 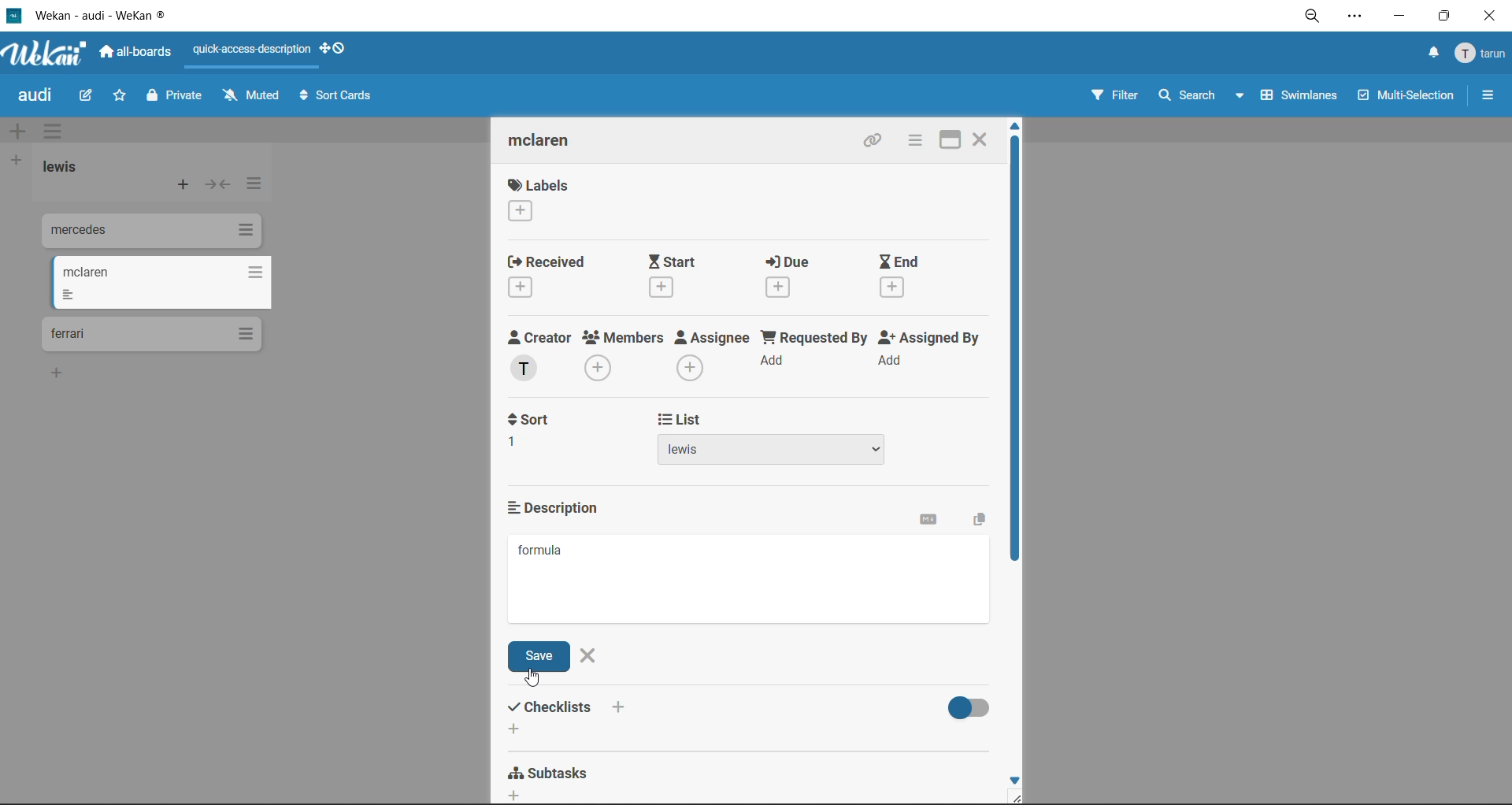 What do you see at coordinates (553, 143) in the screenshot?
I see `card title` at bounding box center [553, 143].